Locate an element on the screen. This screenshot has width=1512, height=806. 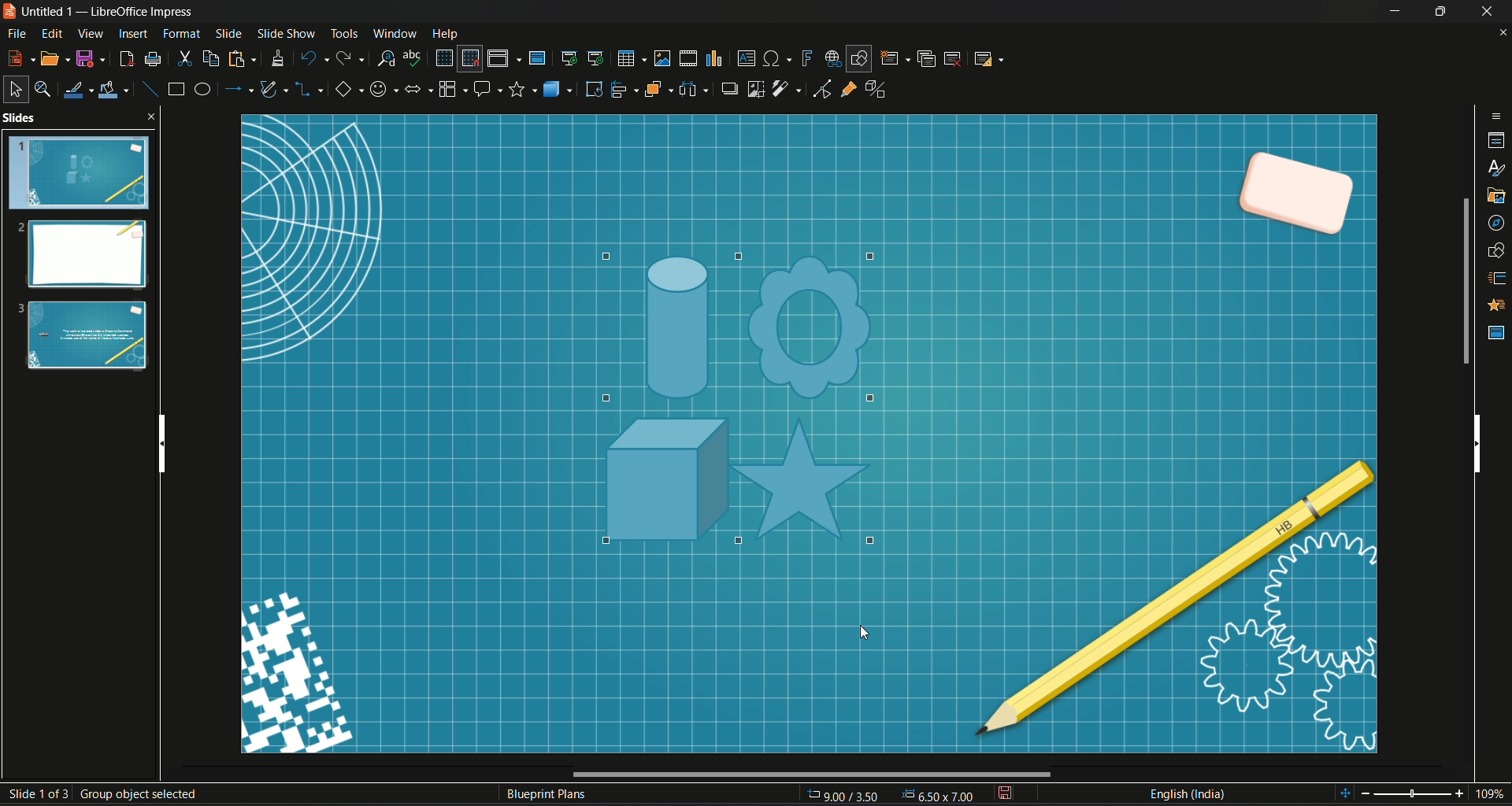
Vertical scroll bar is located at coordinates (1477, 441).